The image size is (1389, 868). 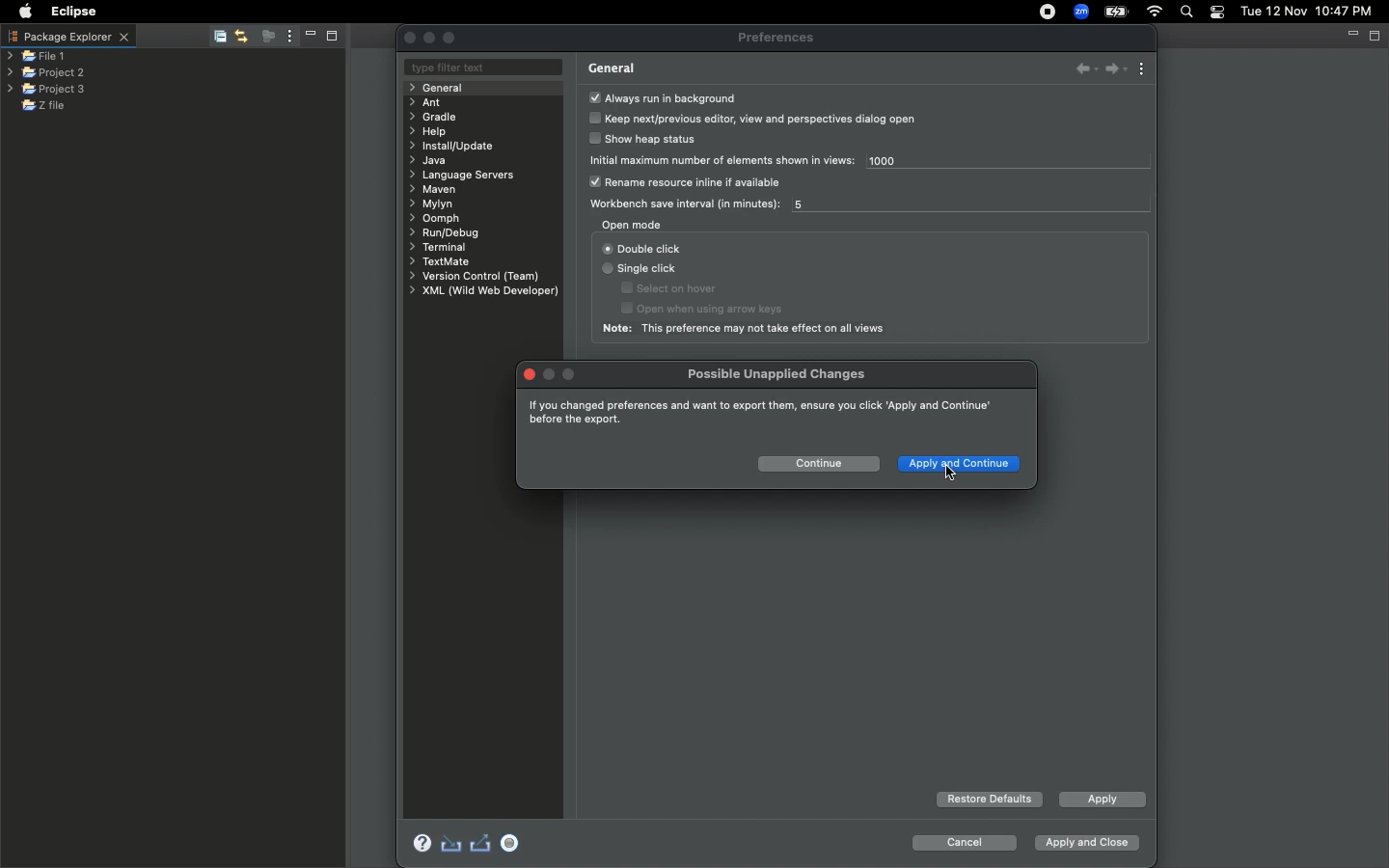 What do you see at coordinates (963, 843) in the screenshot?
I see `Cancel` at bounding box center [963, 843].